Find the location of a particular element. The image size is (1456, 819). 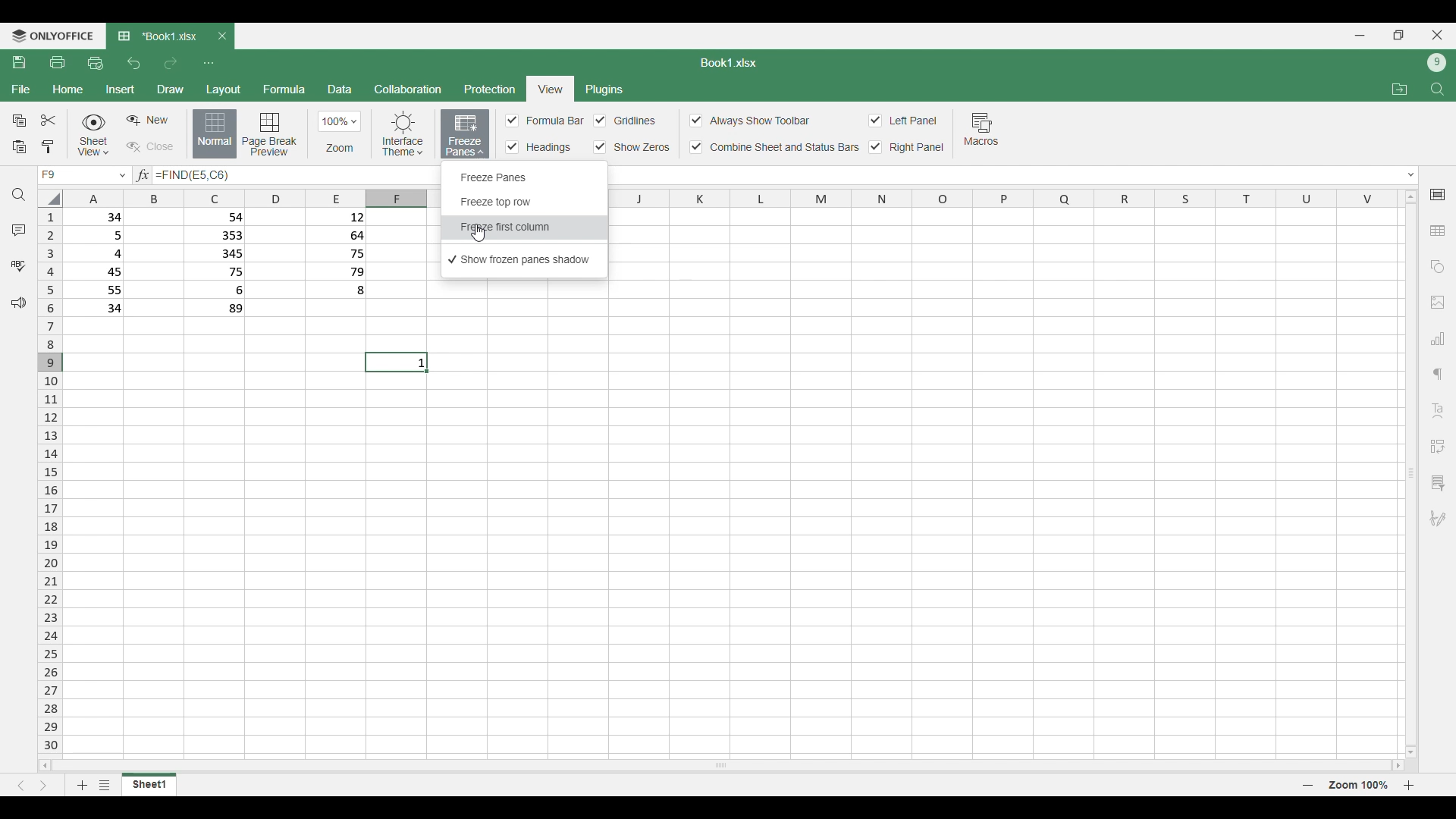

Collaboration menu is located at coordinates (407, 89).